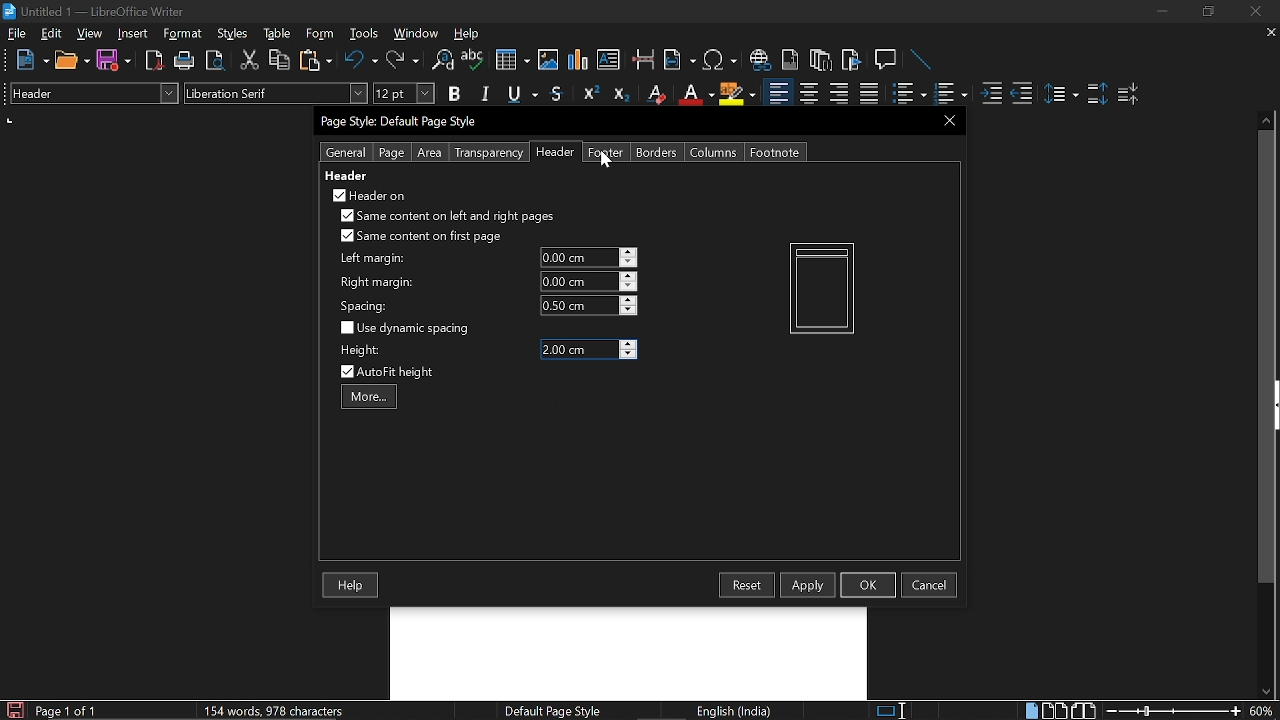 The height and width of the screenshot is (720, 1280). Describe the element at coordinates (778, 94) in the screenshot. I see `Align left` at that location.